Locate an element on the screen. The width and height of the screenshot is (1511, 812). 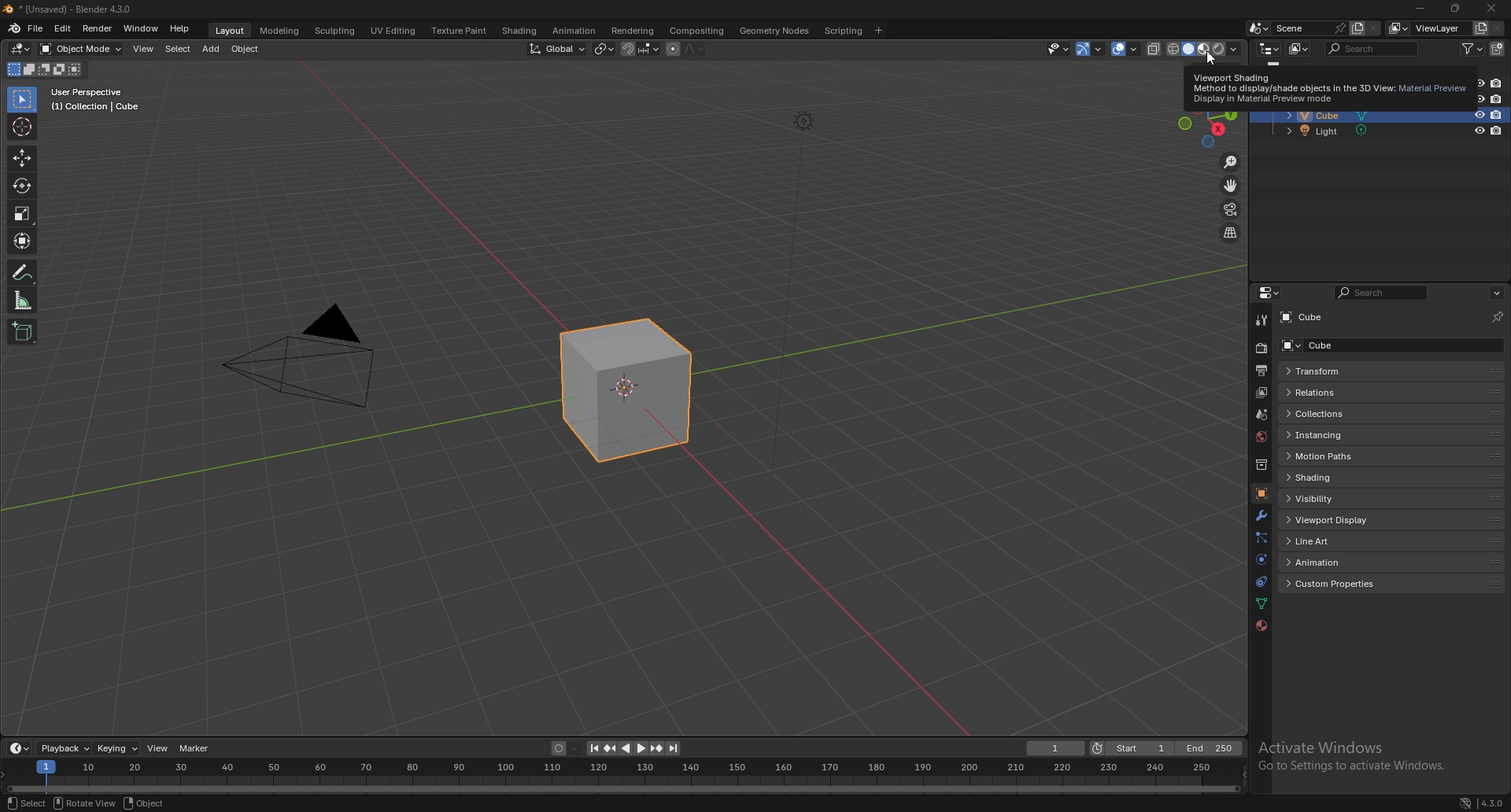
selectibility and visibility is located at coordinates (1058, 49).